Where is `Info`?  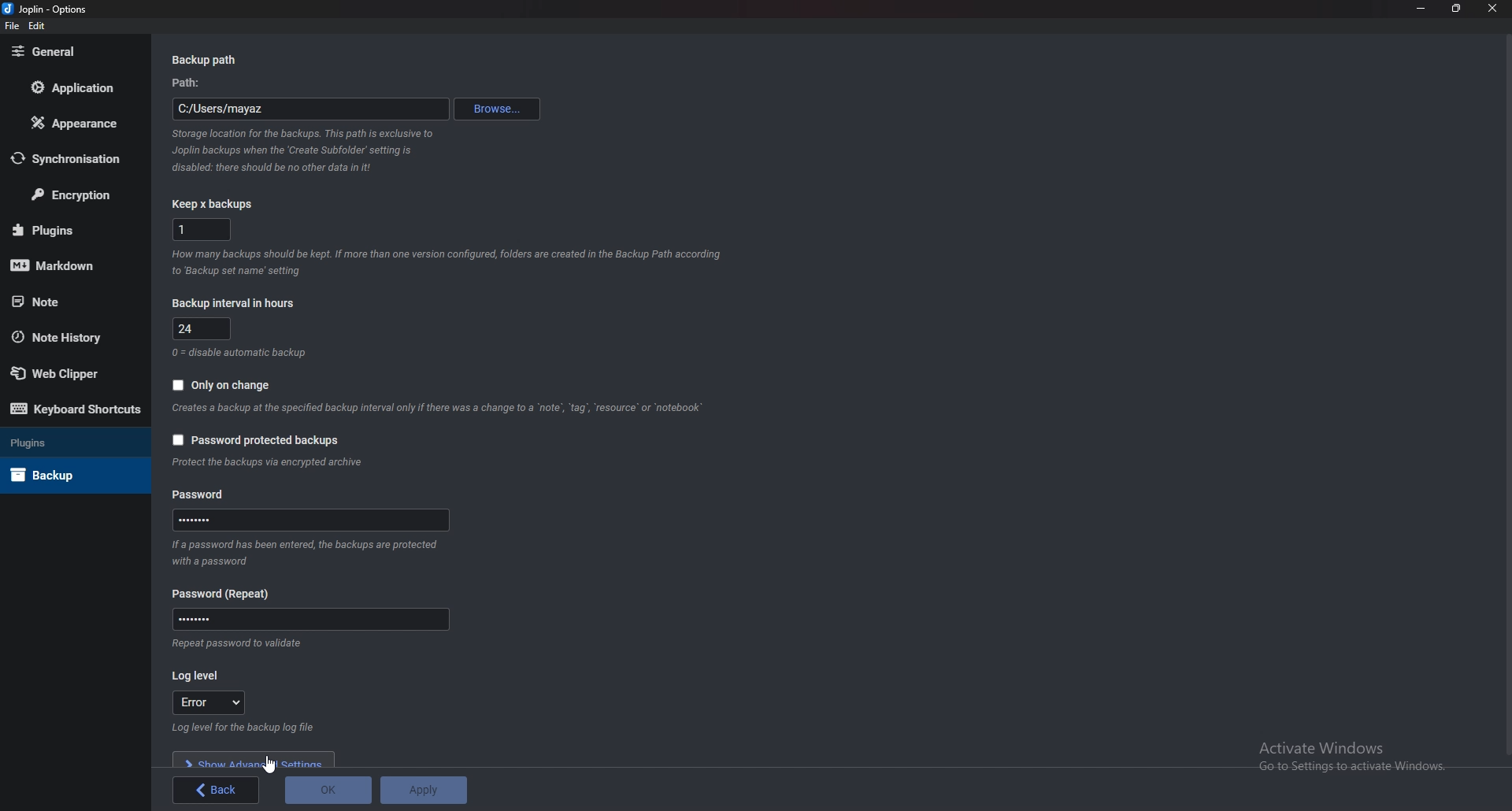
Info is located at coordinates (239, 646).